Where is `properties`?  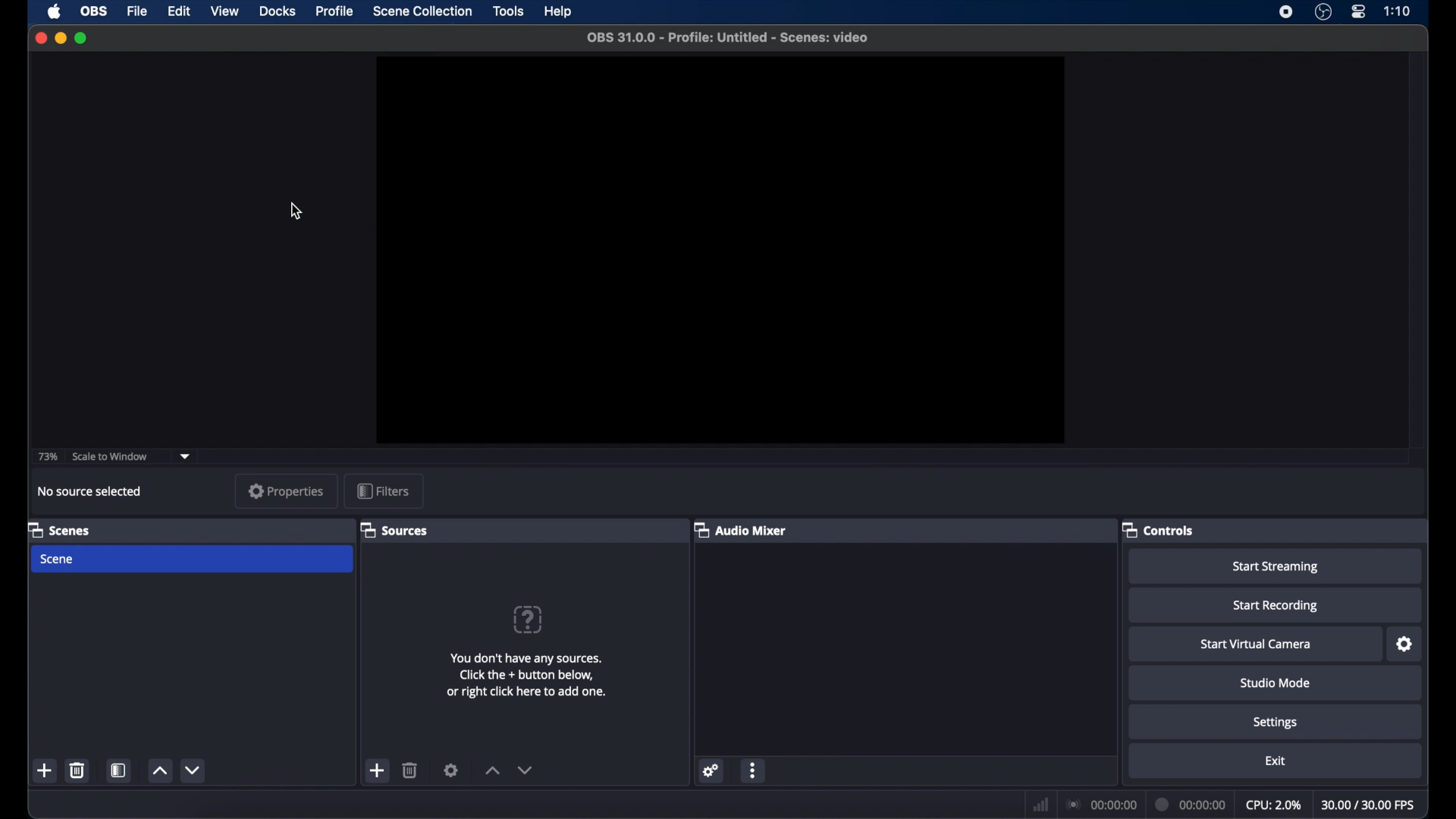
properties is located at coordinates (286, 490).